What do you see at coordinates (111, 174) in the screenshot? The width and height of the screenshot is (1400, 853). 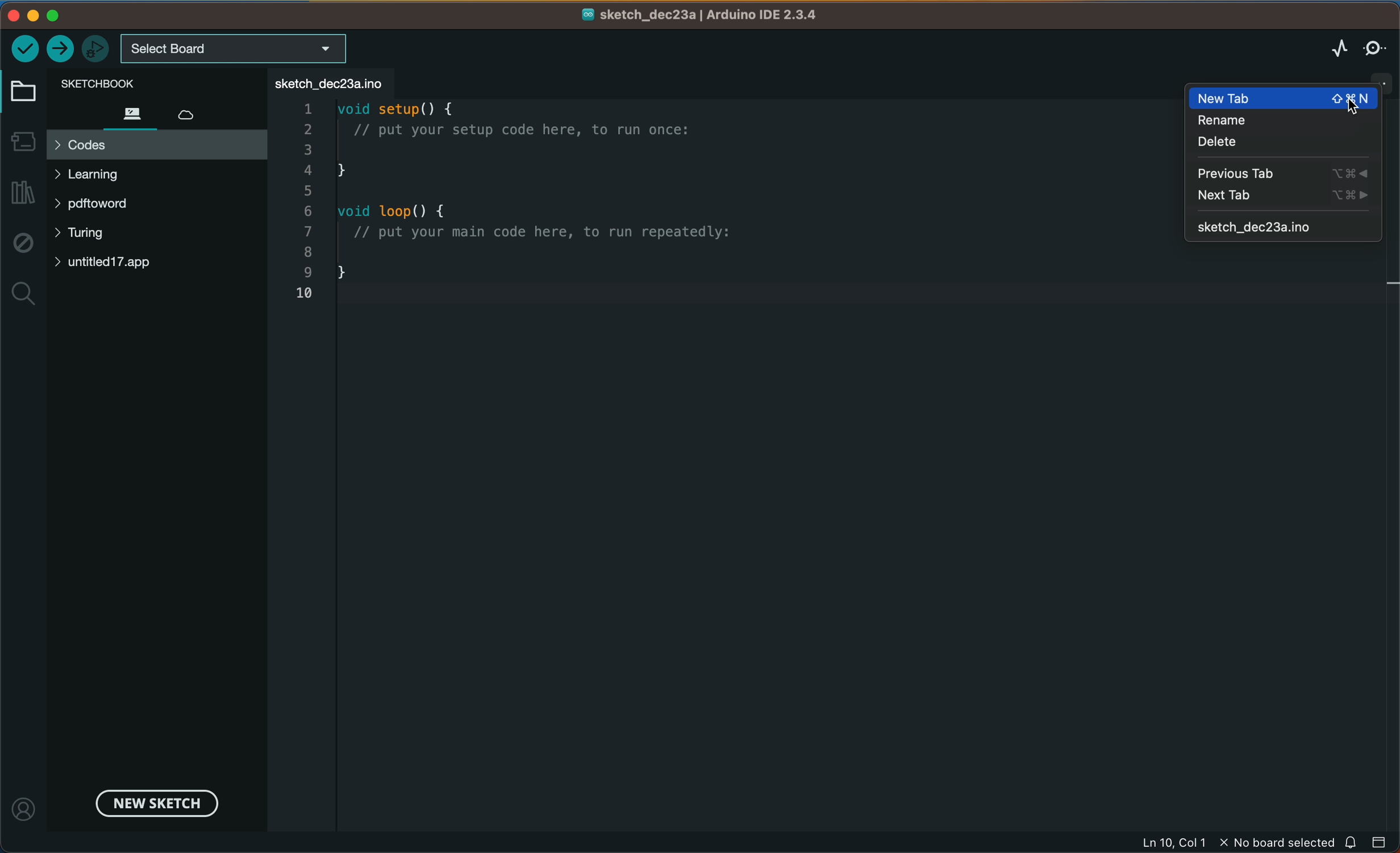 I see `learning` at bounding box center [111, 174].